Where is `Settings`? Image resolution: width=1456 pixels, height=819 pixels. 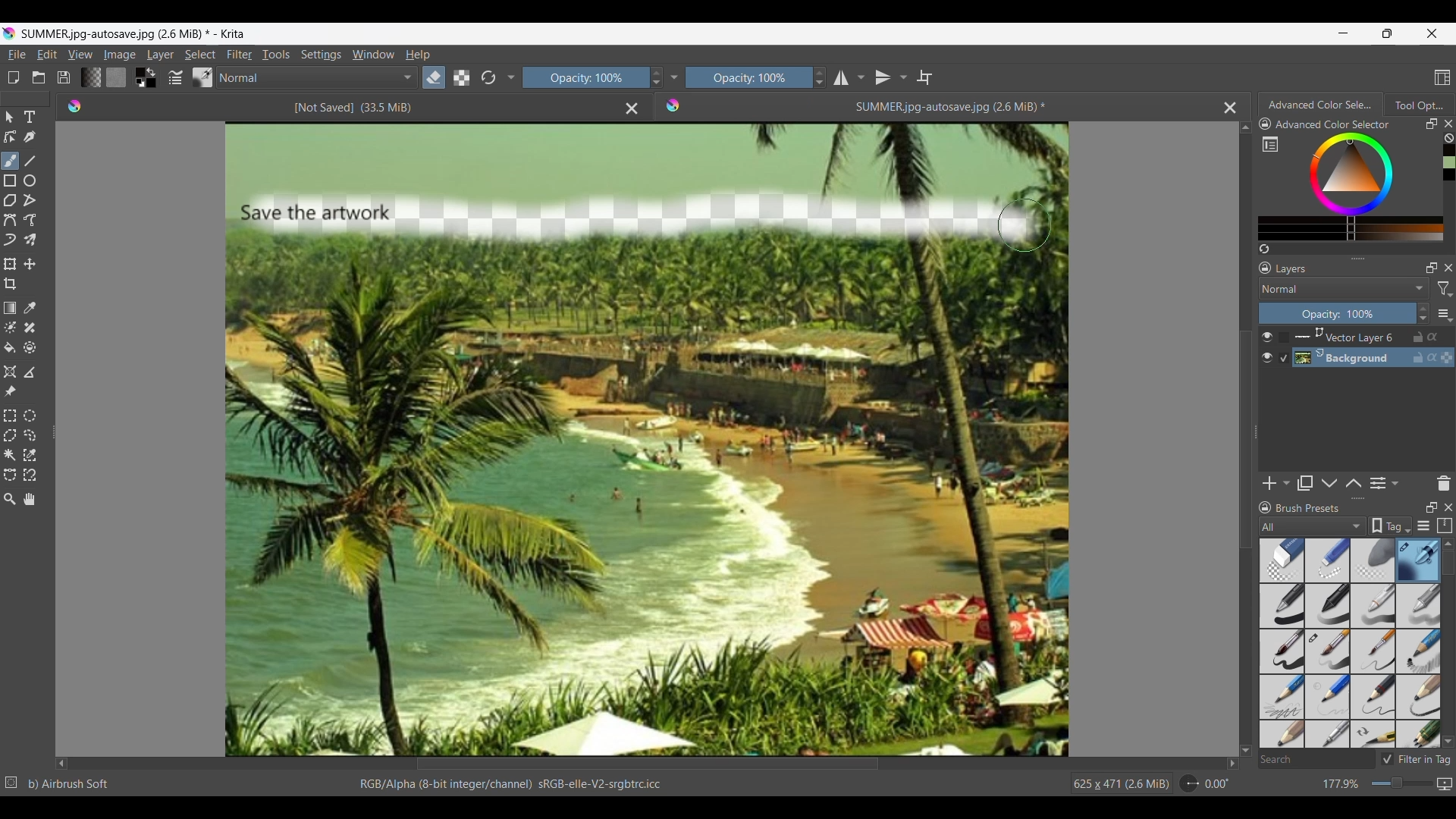
Settings is located at coordinates (322, 55).